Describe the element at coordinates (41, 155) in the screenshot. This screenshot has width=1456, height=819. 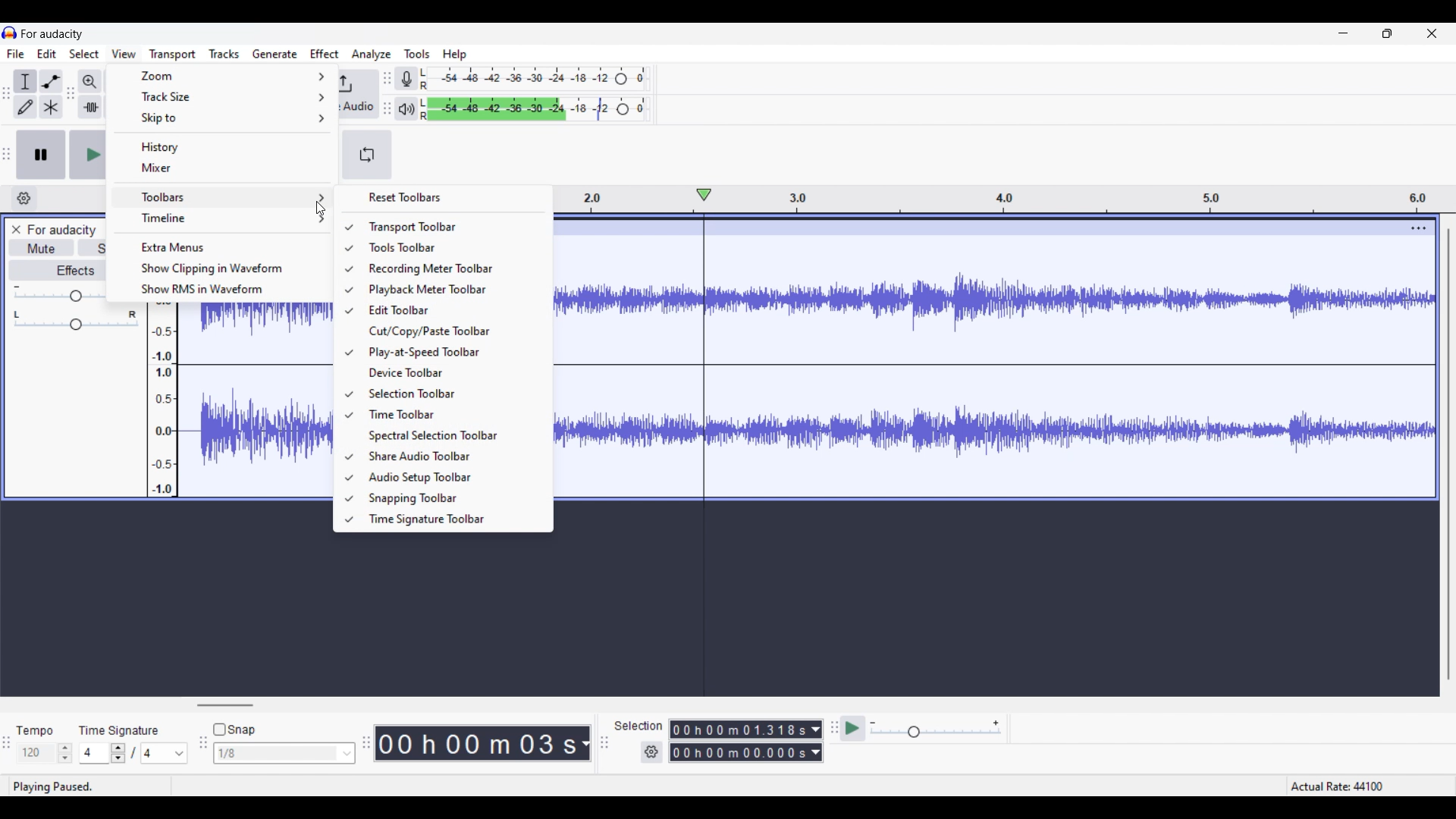
I see `Pause` at that location.